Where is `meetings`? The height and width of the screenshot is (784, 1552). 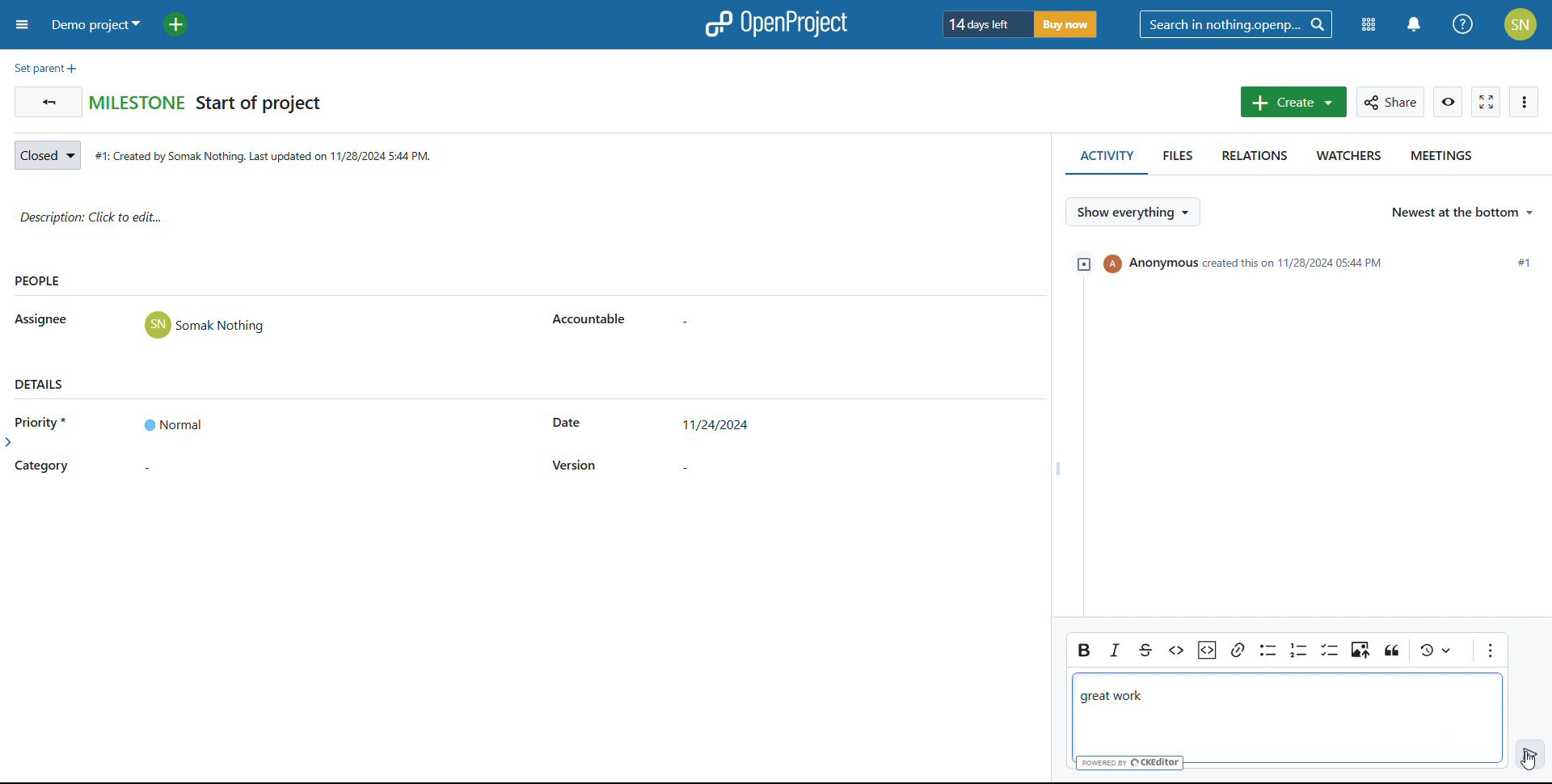 meetings is located at coordinates (1444, 159).